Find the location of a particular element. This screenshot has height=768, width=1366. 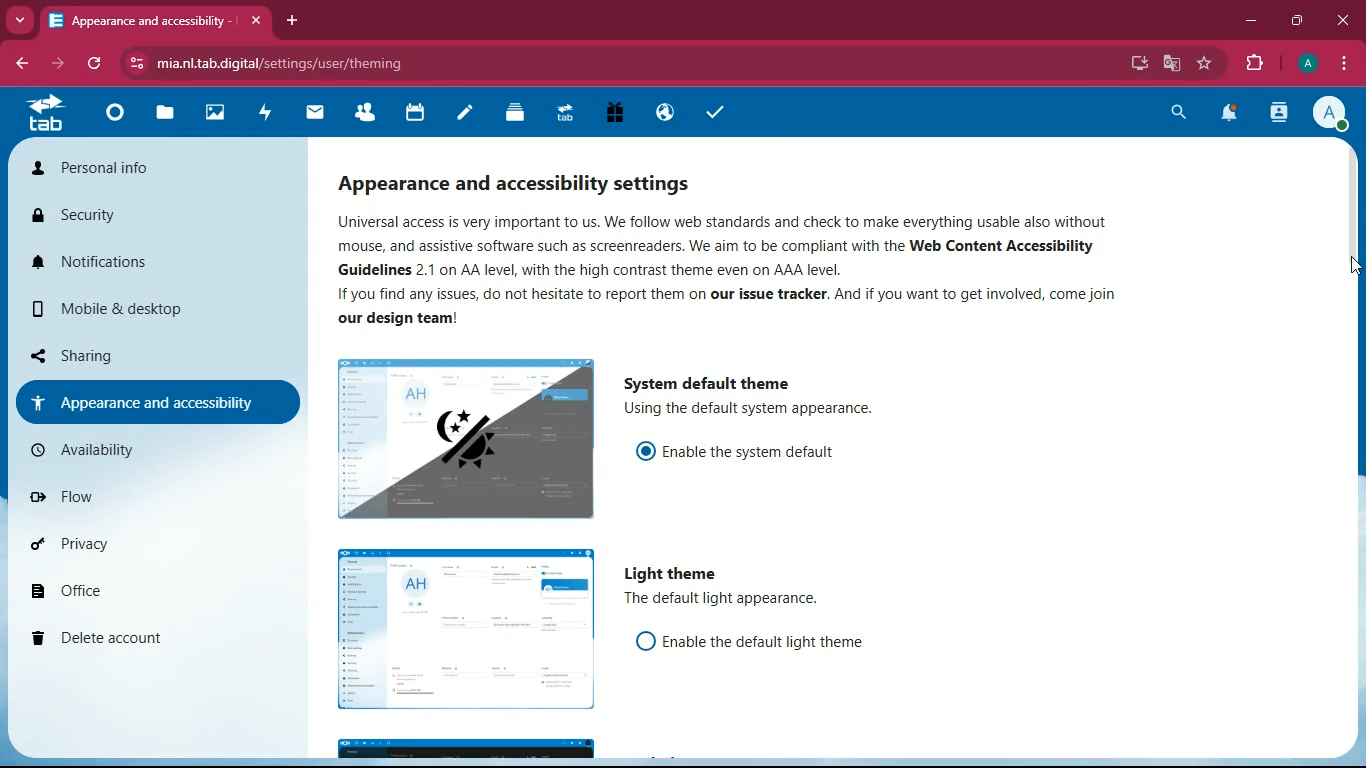

home is located at coordinates (115, 121).